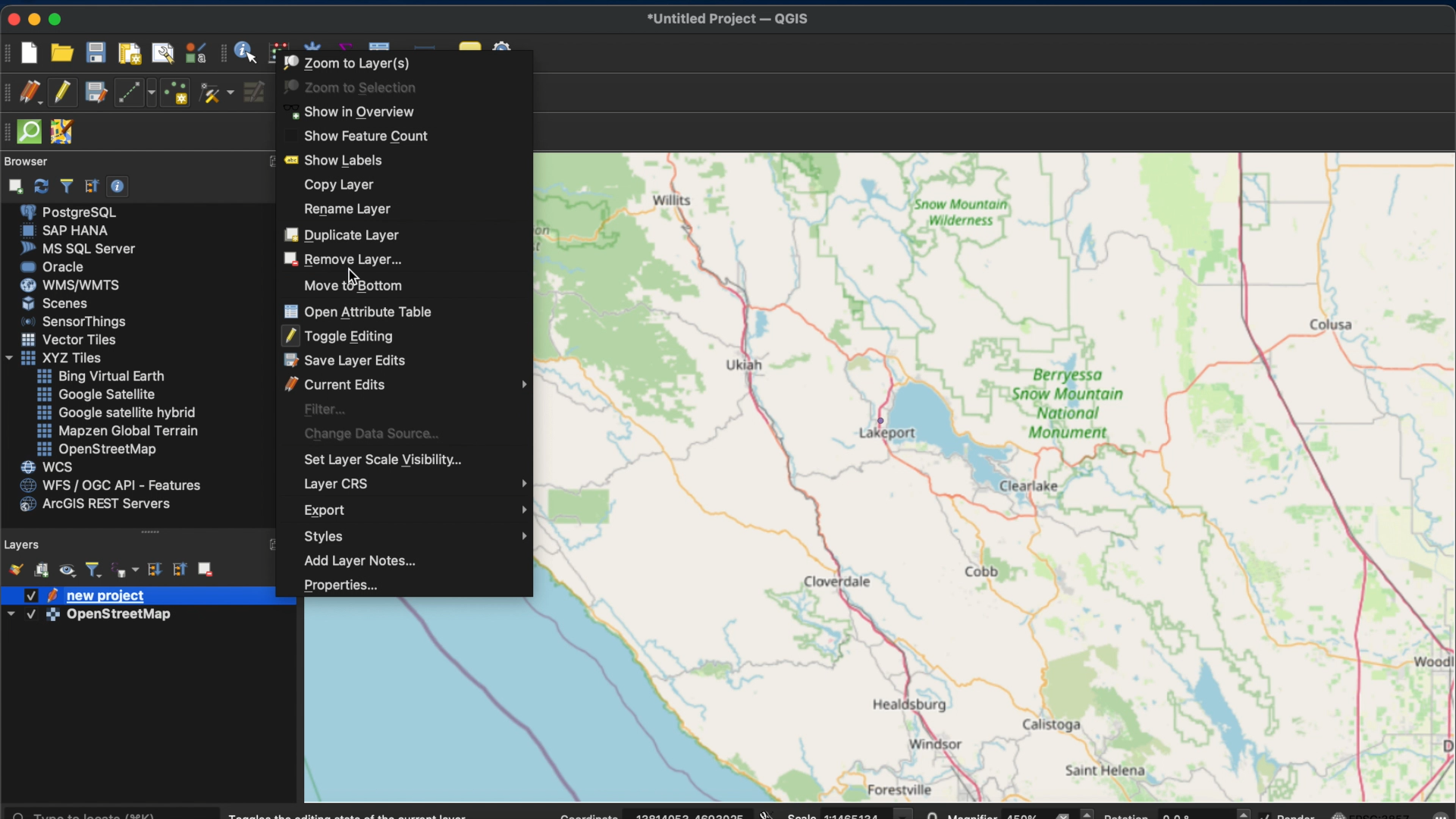  What do you see at coordinates (83, 595) in the screenshot?
I see `new project layer` at bounding box center [83, 595].